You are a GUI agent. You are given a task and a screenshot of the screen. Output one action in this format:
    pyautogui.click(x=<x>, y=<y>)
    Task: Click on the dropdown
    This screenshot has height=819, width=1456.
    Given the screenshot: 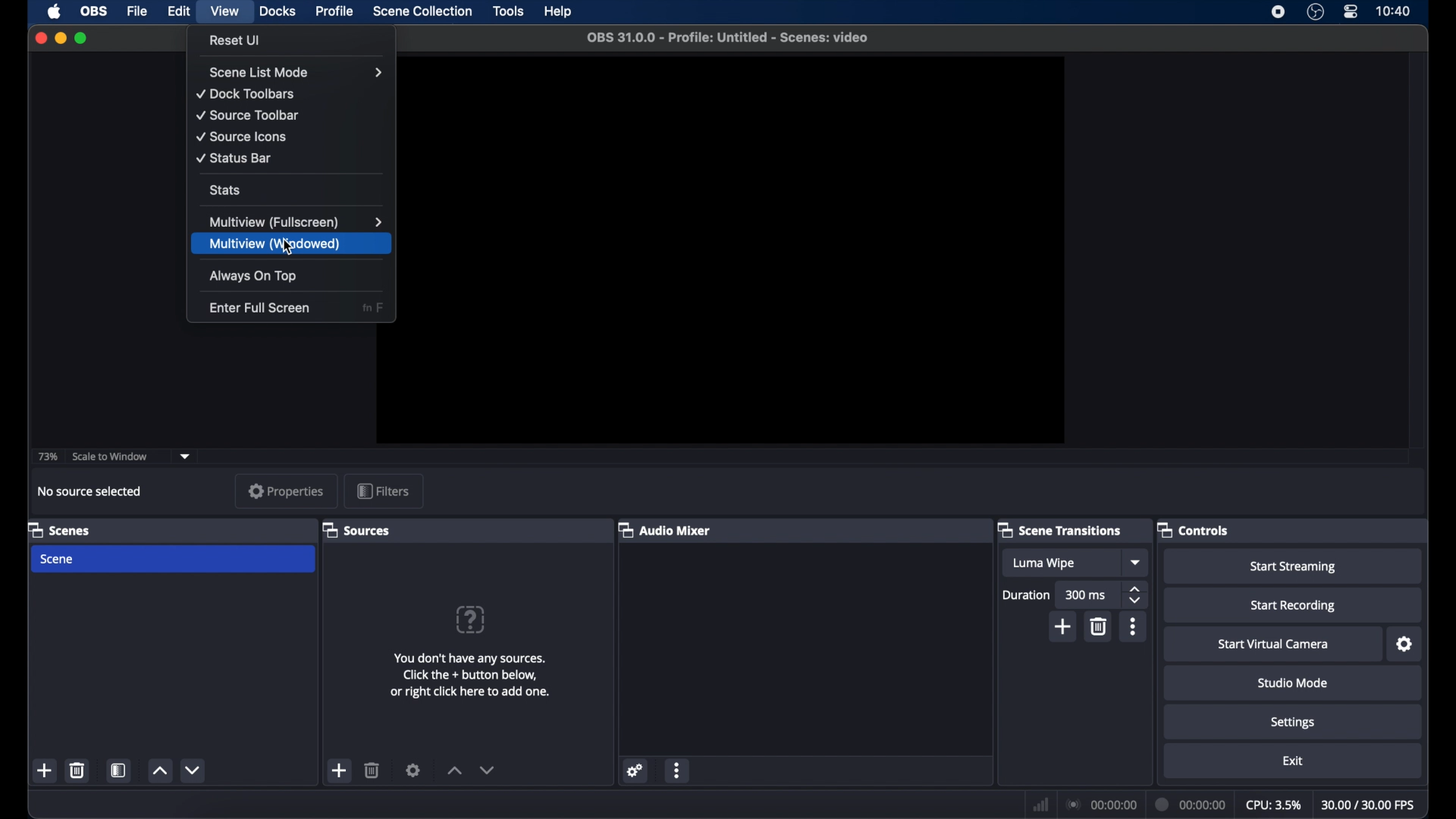 What is the action you would take?
    pyautogui.click(x=1136, y=563)
    